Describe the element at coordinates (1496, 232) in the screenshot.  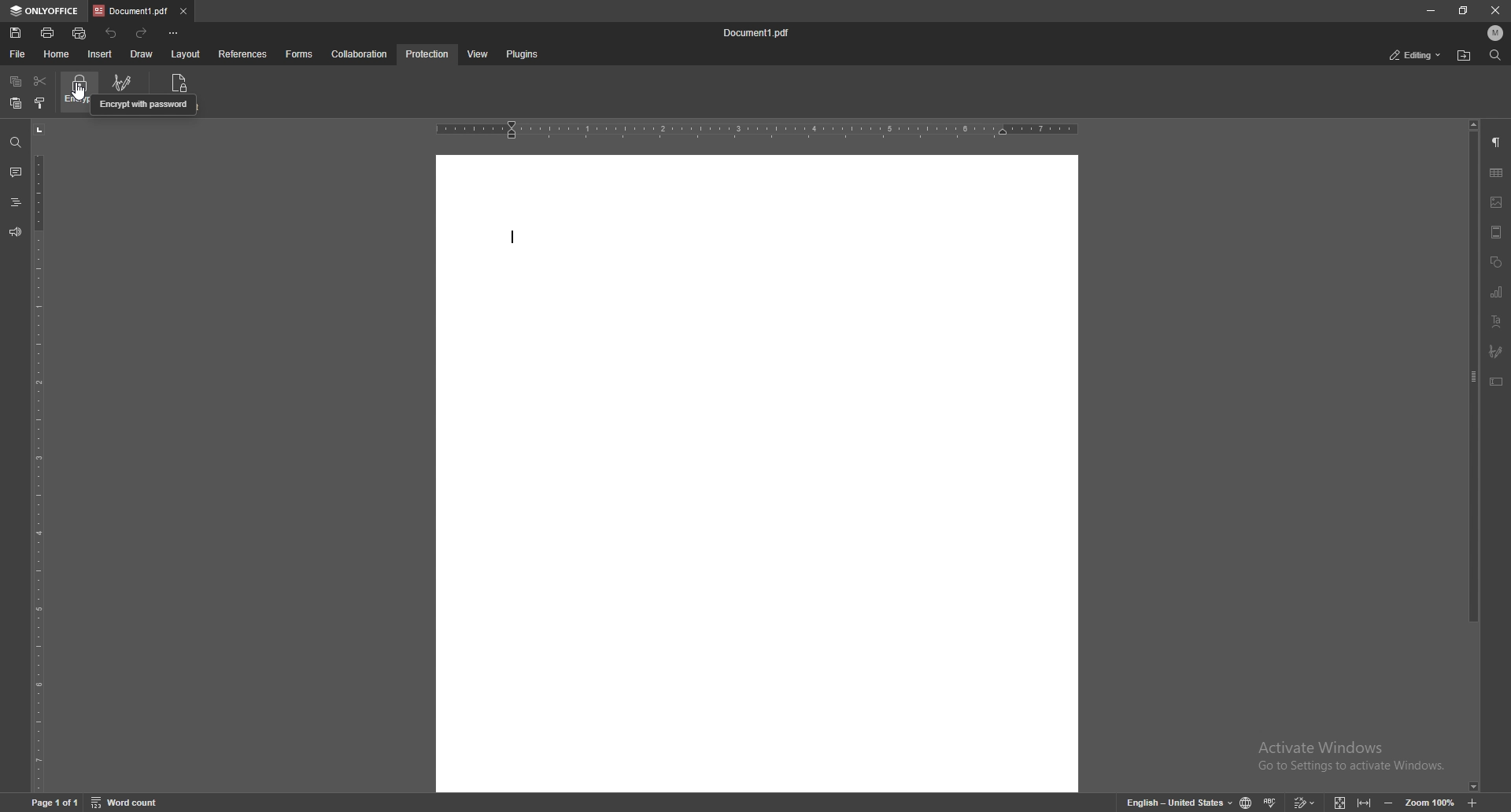
I see `header and footer` at that location.